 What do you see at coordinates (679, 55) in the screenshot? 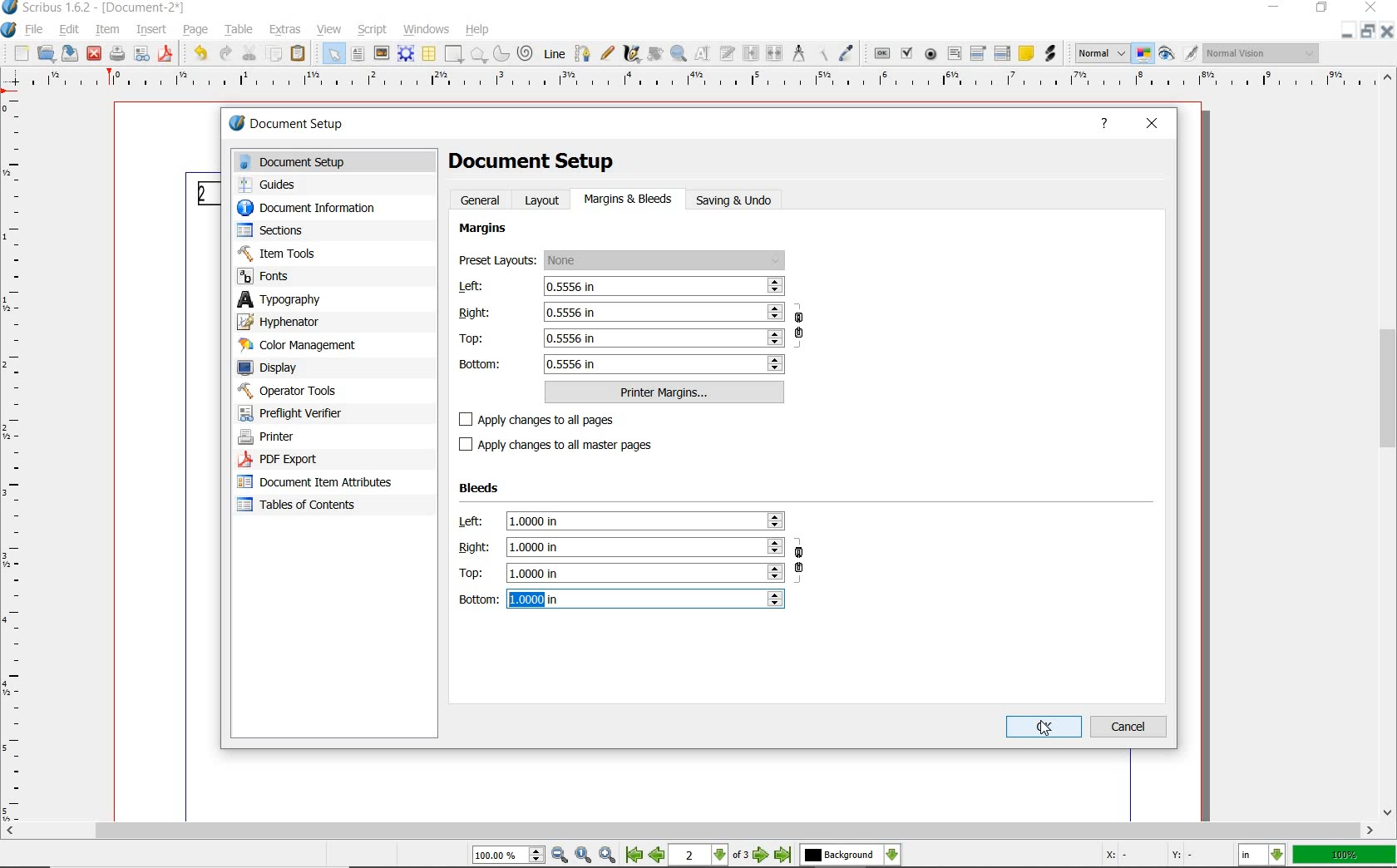
I see `zoom in or zoom out` at bounding box center [679, 55].